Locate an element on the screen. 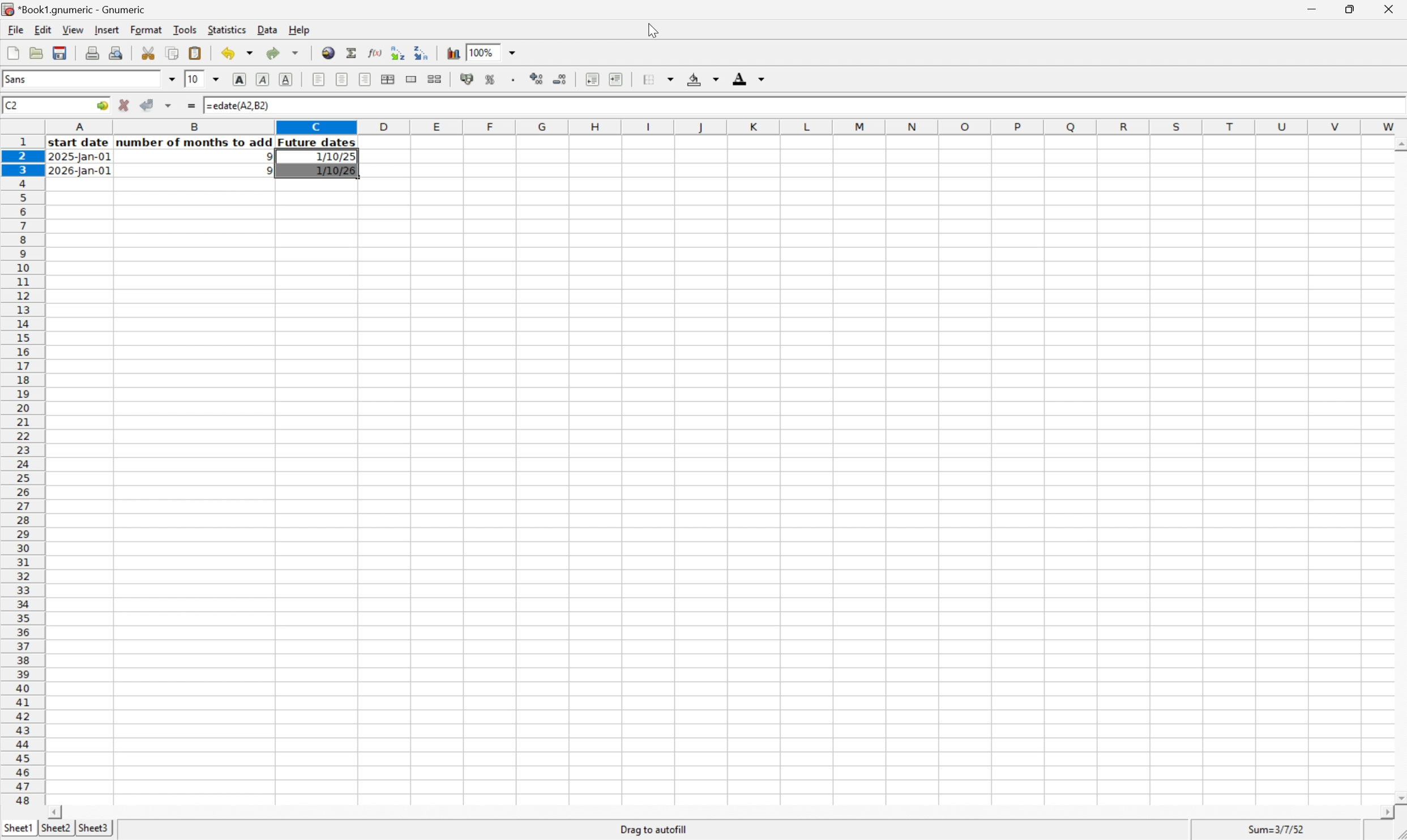 The image size is (1407, 840). Minimize is located at coordinates (1310, 7).